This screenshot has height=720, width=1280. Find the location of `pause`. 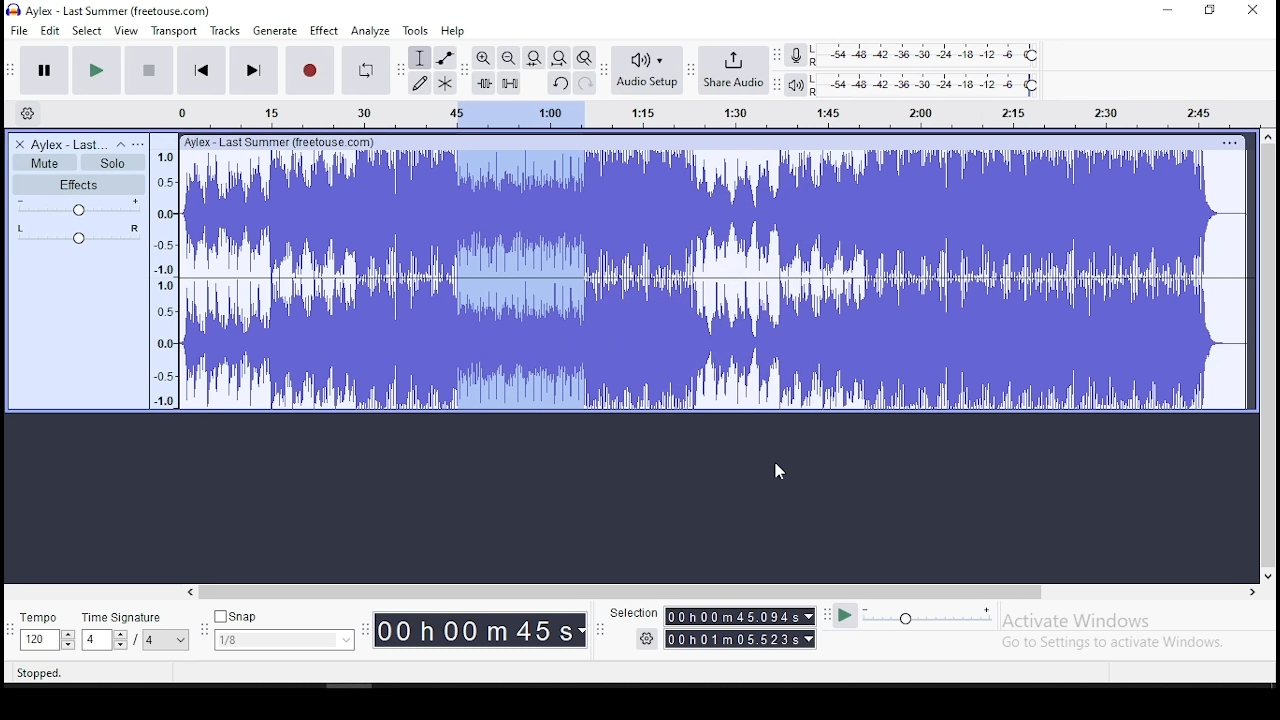

pause is located at coordinates (42, 70).